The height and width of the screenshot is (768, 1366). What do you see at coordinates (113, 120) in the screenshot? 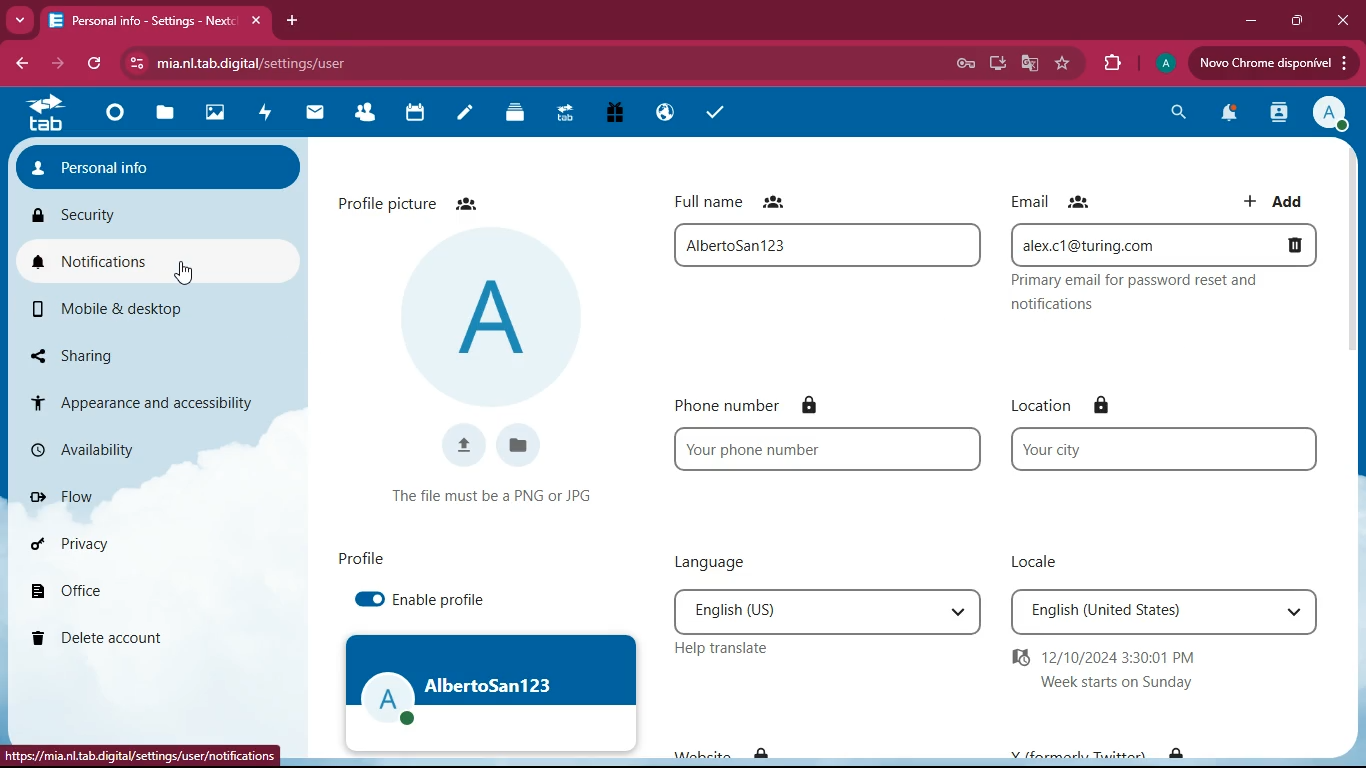
I see `home` at bounding box center [113, 120].